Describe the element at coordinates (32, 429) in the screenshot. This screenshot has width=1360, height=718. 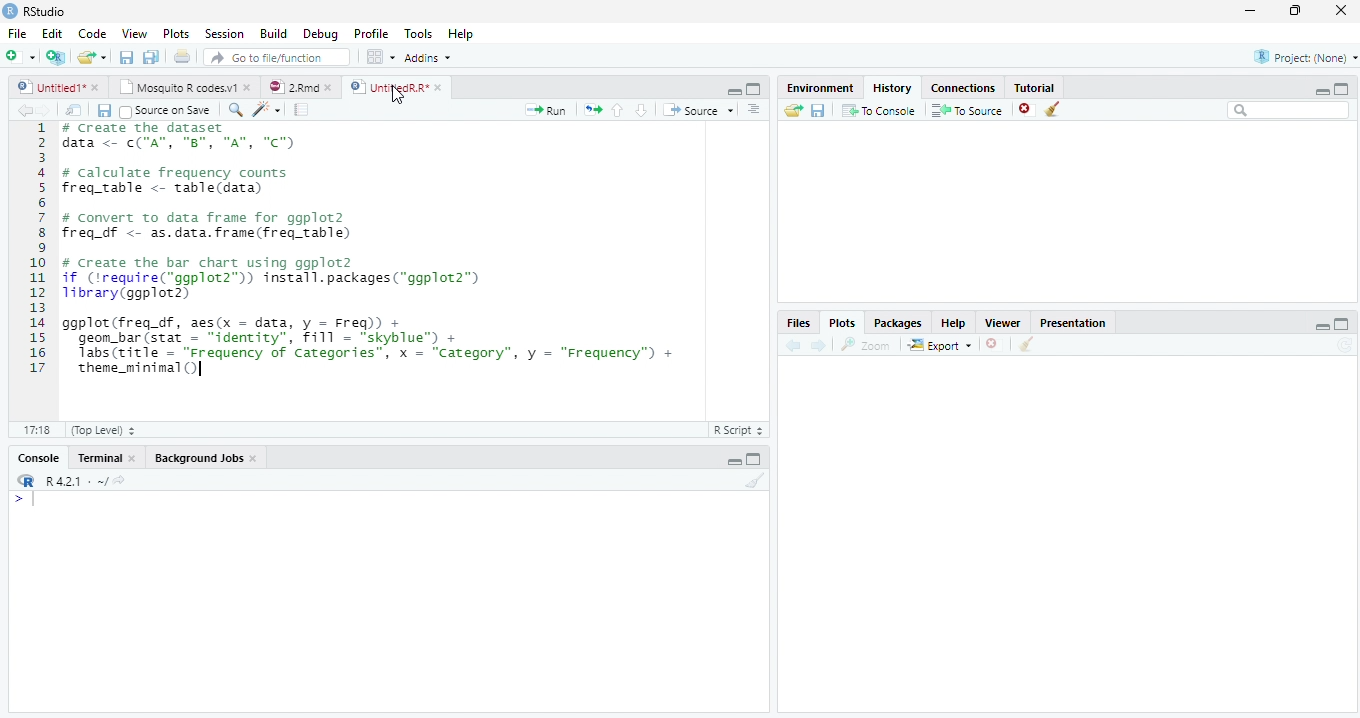
I see `1.1` at that location.